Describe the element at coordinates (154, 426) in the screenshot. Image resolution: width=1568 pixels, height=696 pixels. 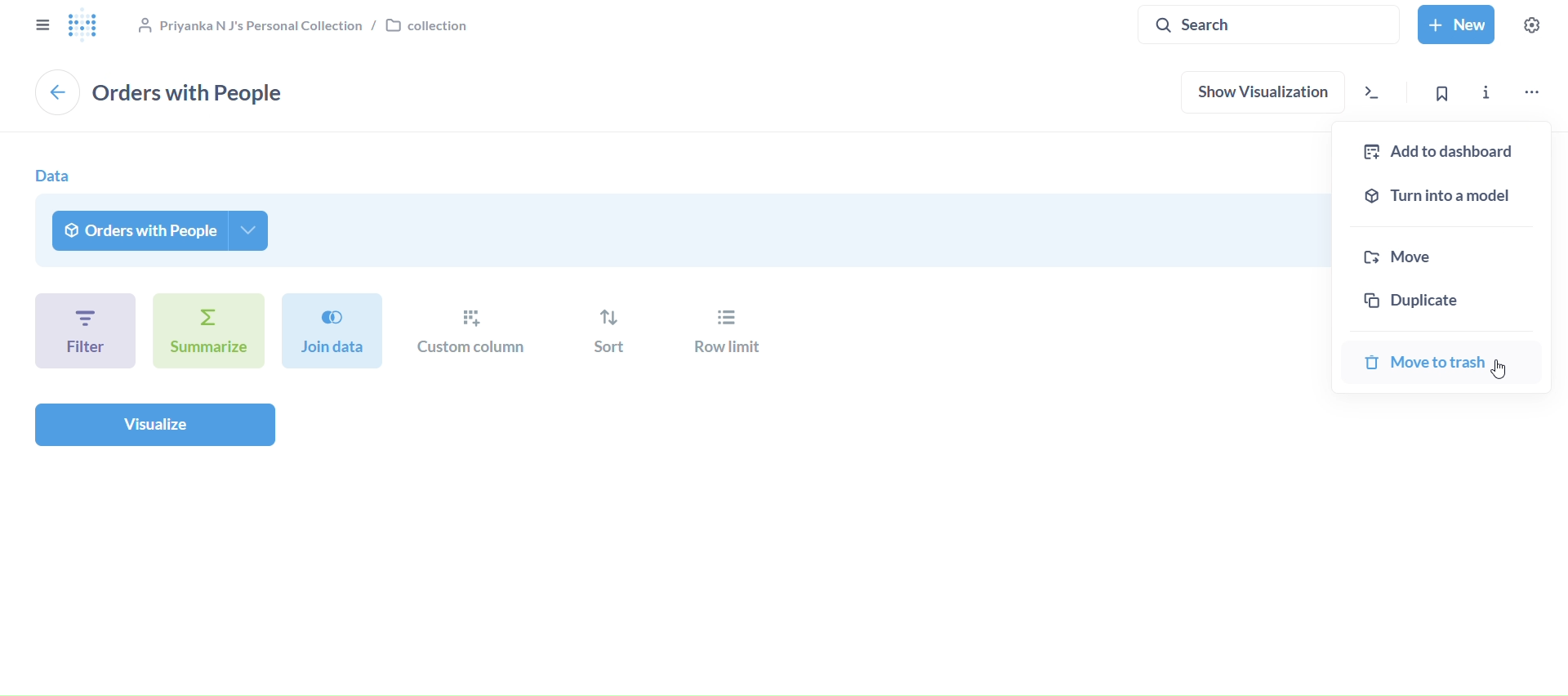
I see `visualize` at that location.